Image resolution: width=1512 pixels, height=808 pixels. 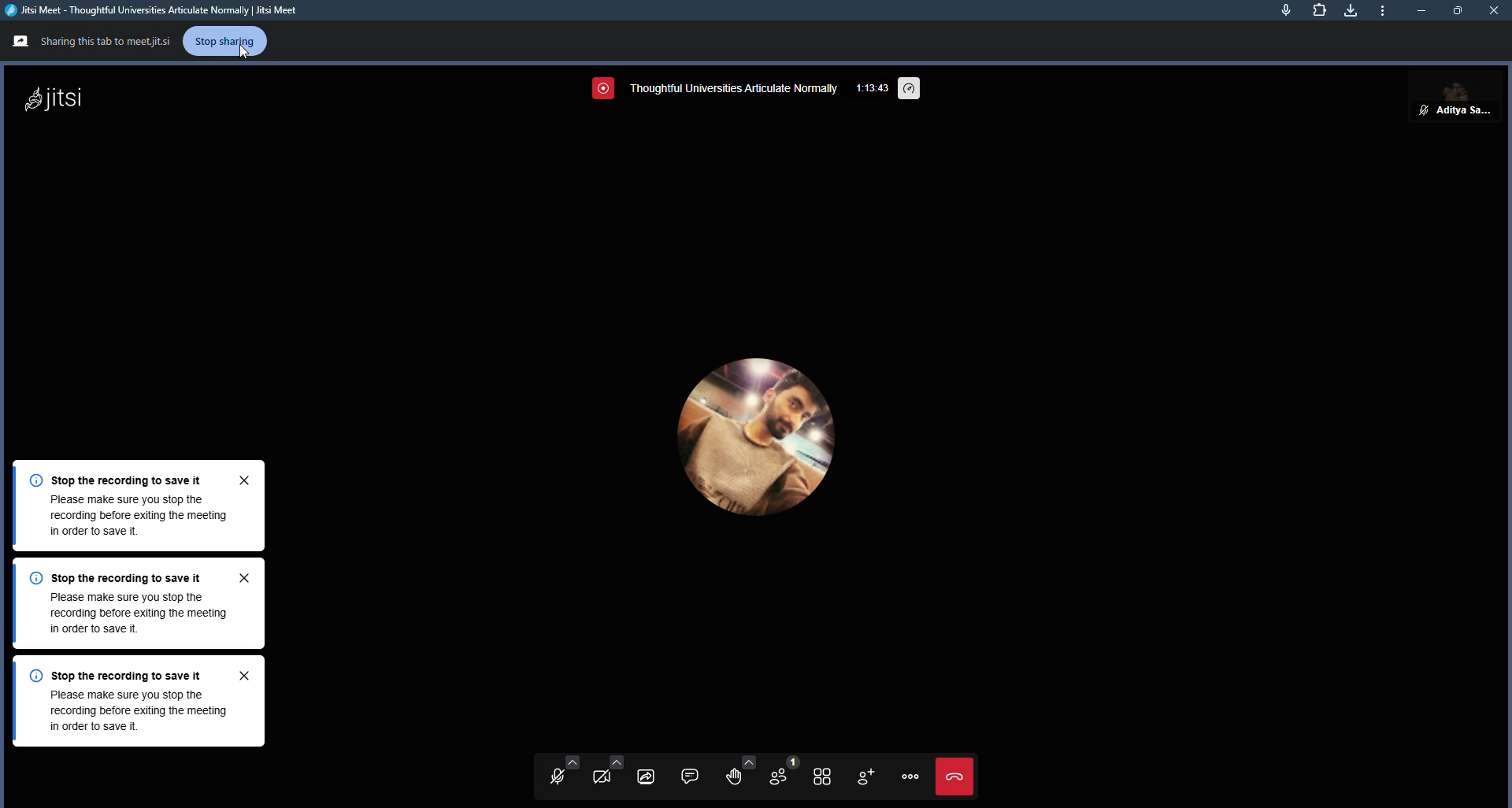 I want to click on close, so click(x=1495, y=10).